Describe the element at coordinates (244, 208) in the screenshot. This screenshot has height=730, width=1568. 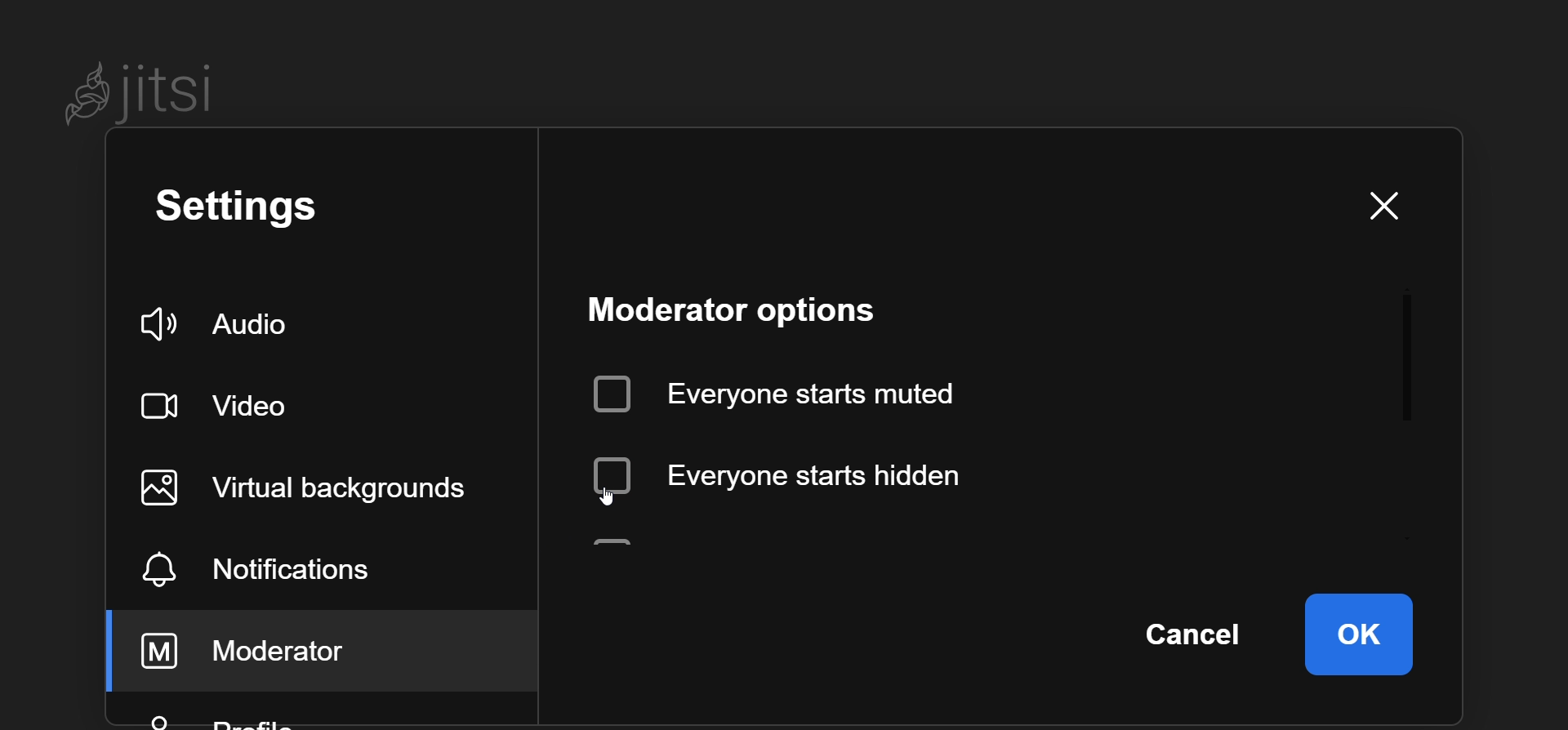
I see `setting` at that location.